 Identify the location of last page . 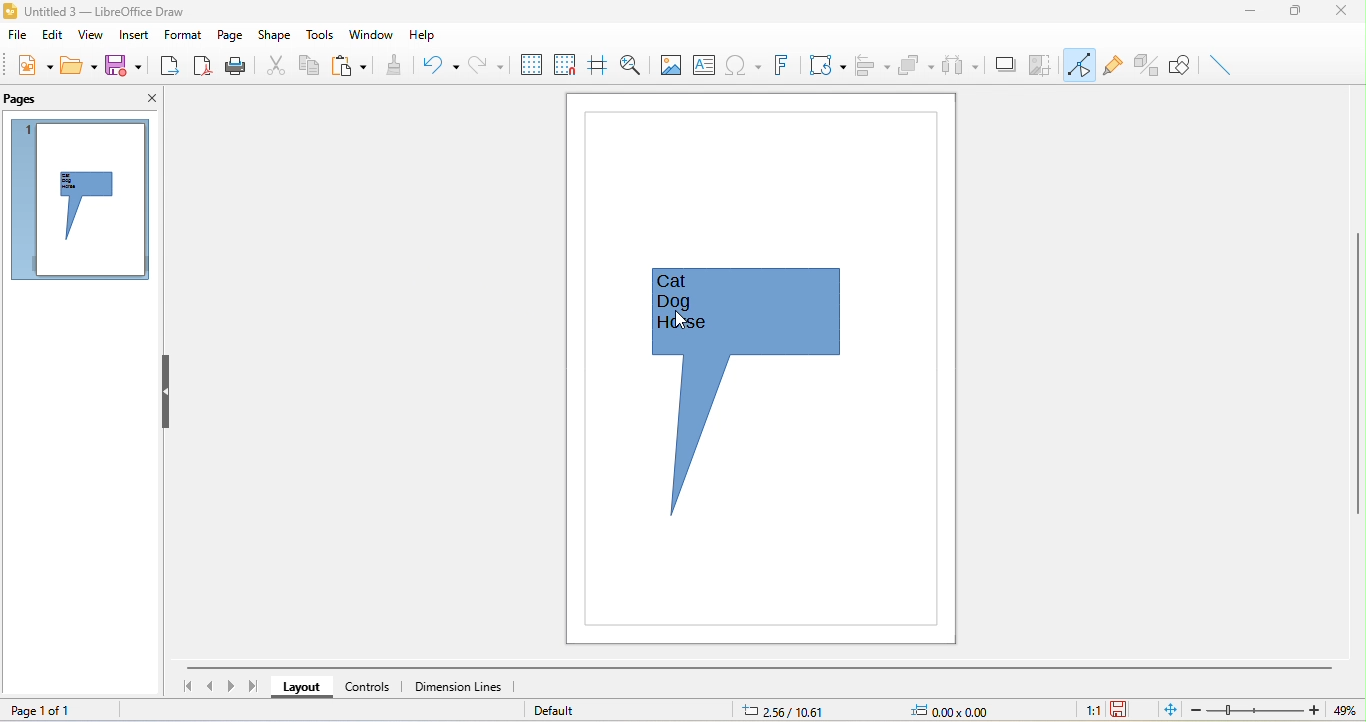
(253, 688).